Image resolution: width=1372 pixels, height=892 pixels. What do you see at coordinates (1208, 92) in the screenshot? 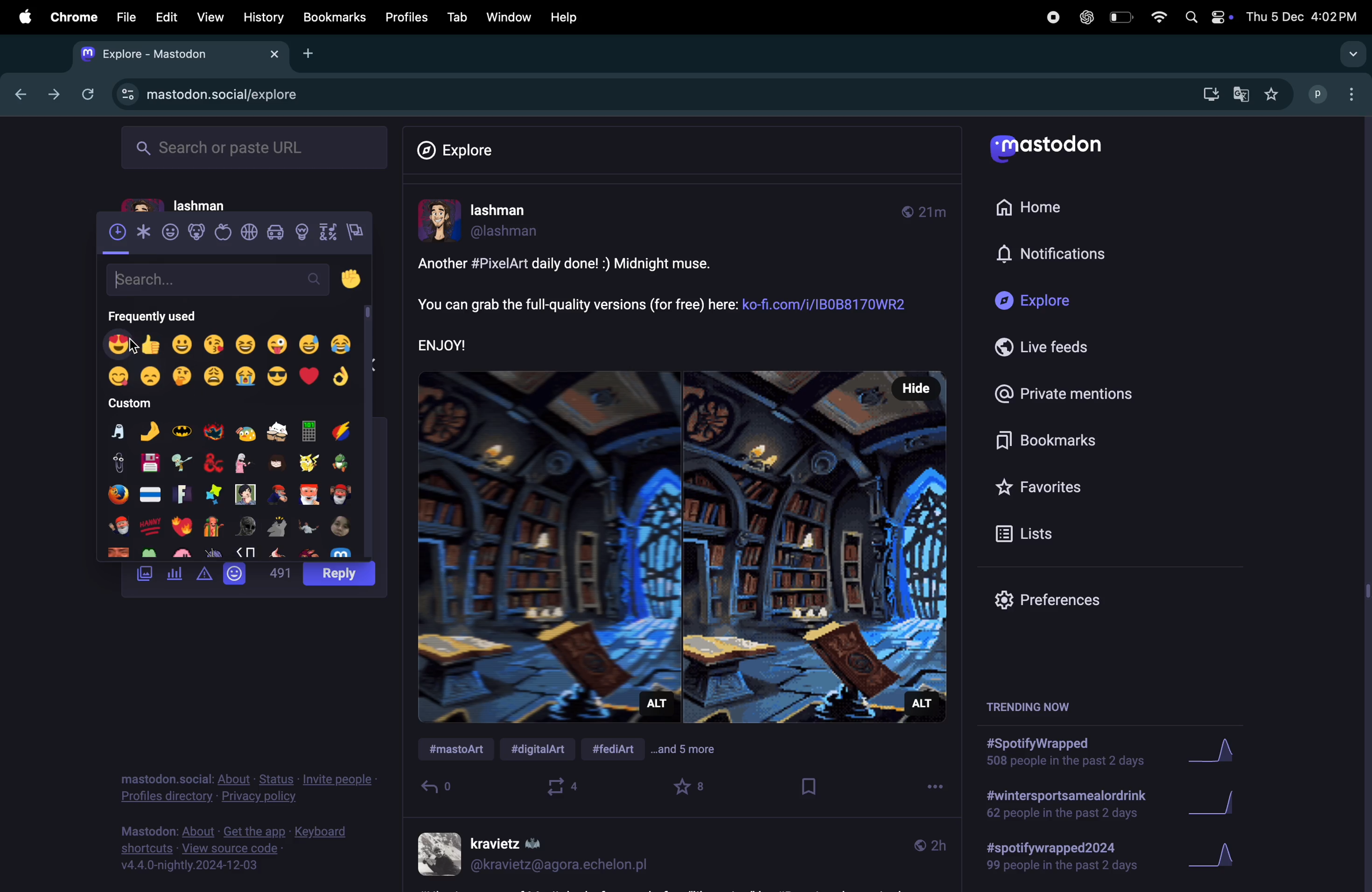
I see `download mastdon` at bounding box center [1208, 92].